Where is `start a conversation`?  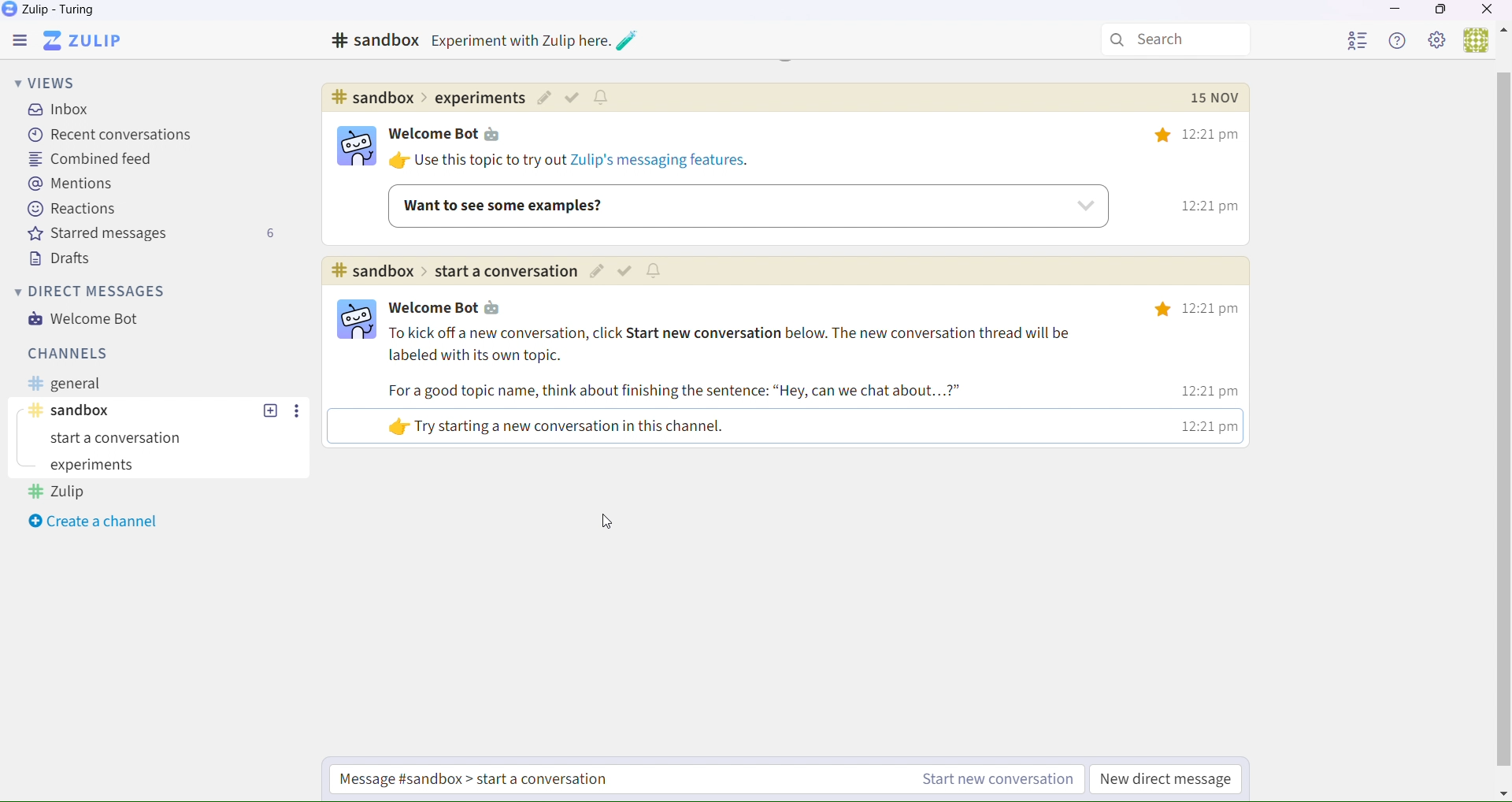 start a conversation is located at coordinates (125, 440).